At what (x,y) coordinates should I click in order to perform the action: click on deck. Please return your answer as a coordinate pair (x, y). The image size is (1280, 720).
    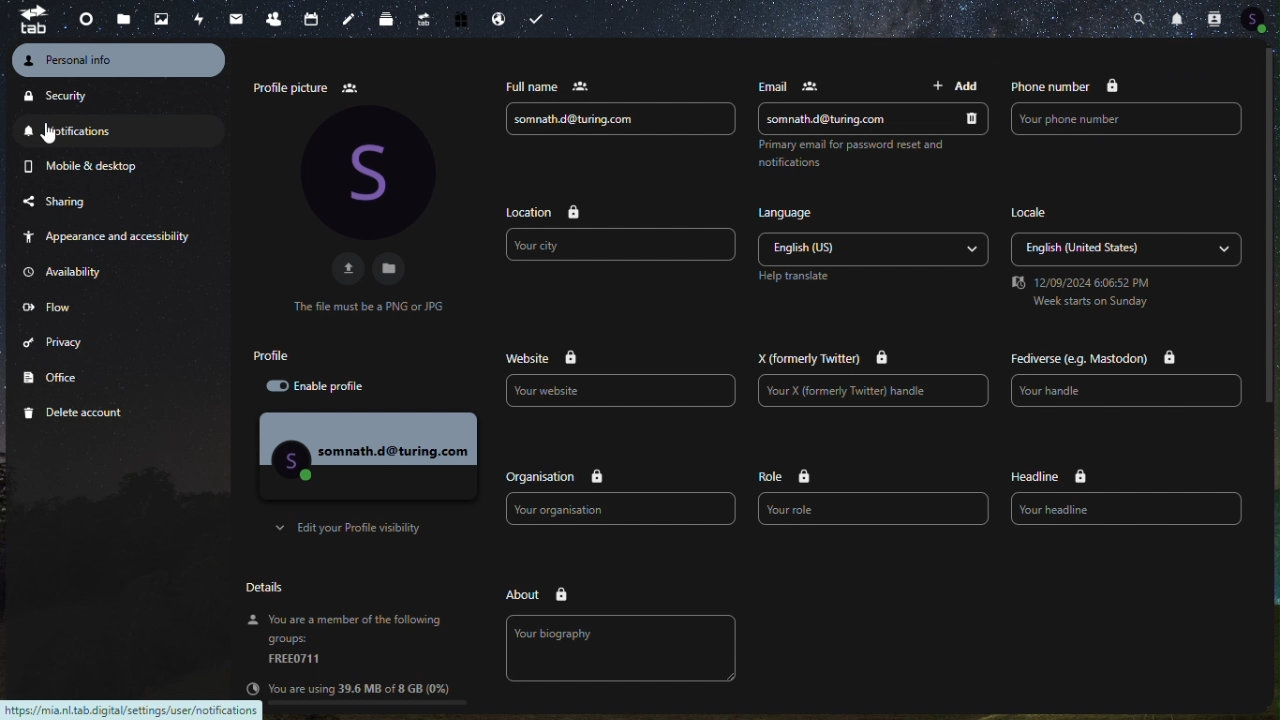
    Looking at the image, I should click on (388, 18).